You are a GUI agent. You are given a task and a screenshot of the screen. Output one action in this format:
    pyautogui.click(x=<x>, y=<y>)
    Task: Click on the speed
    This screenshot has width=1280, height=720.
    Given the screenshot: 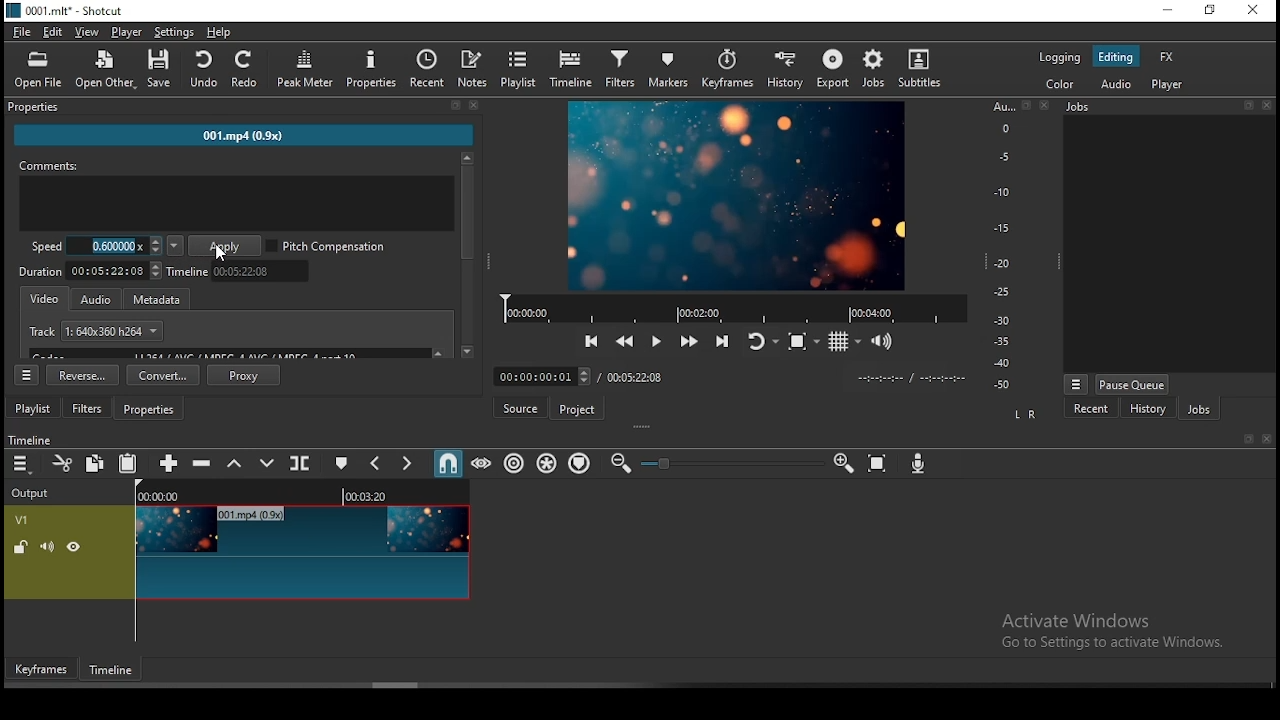 What is the action you would take?
    pyautogui.click(x=92, y=244)
    